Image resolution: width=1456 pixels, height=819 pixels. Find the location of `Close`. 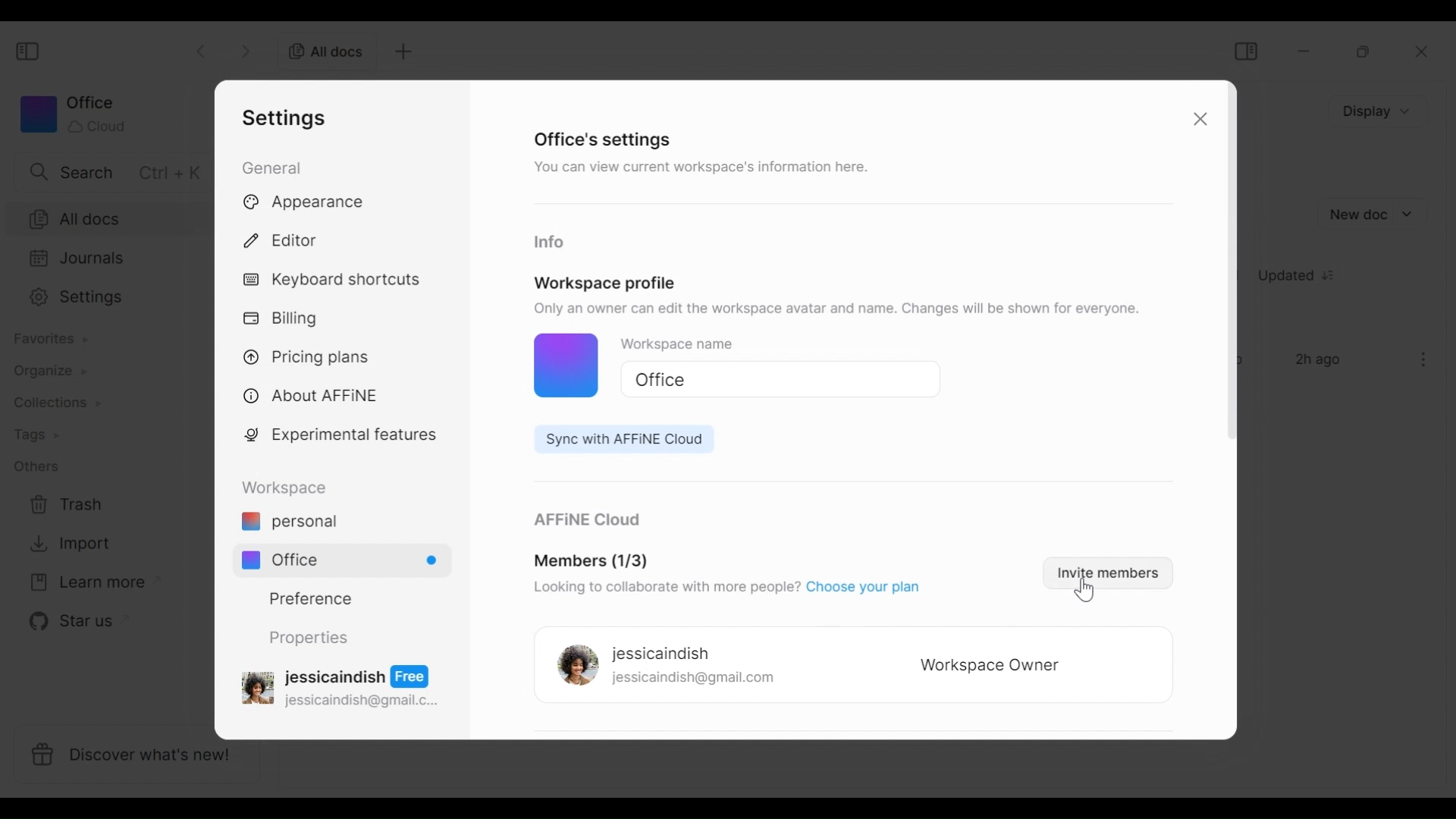

Close is located at coordinates (1197, 121).